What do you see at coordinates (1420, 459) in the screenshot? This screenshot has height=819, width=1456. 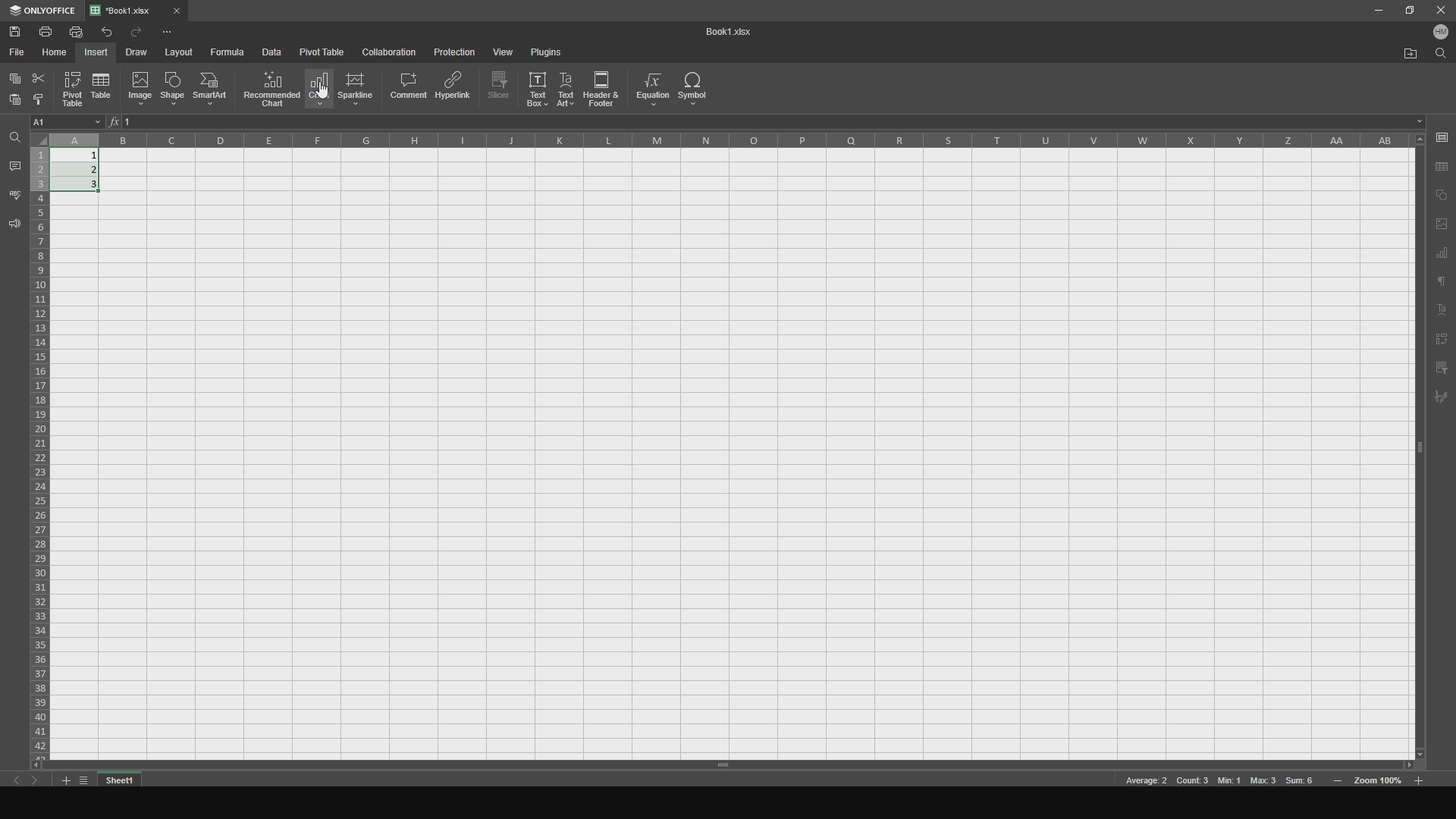 I see `vertical slider` at bounding box center [1420, 459].